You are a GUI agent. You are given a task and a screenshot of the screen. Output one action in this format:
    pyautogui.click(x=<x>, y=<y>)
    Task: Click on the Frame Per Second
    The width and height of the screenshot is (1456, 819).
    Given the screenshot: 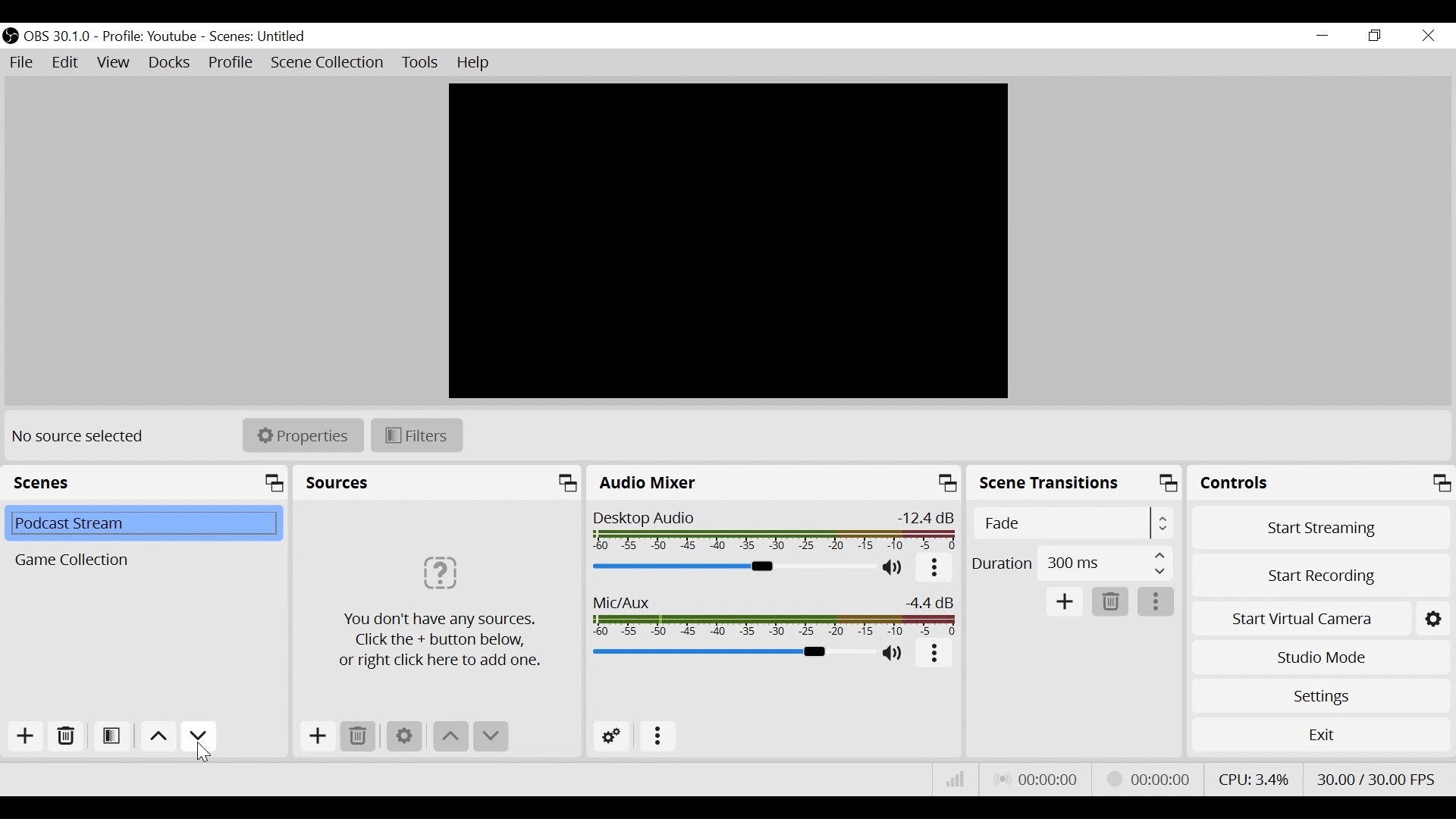 What is the action you would take?
    pyautogui.click(x=1380, y=778)
    